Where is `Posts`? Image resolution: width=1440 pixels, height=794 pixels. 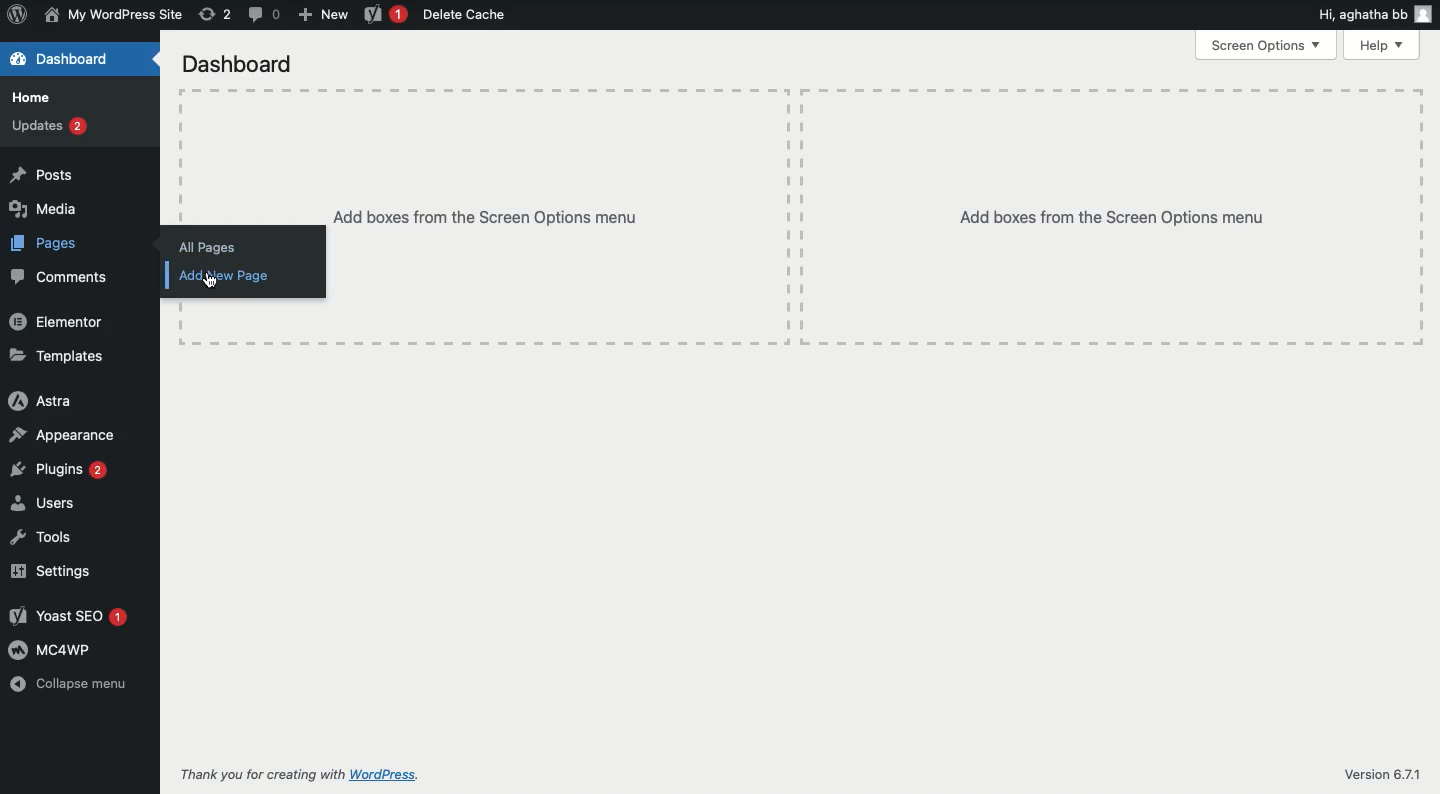
Posts is located at coordinates (43, 174).